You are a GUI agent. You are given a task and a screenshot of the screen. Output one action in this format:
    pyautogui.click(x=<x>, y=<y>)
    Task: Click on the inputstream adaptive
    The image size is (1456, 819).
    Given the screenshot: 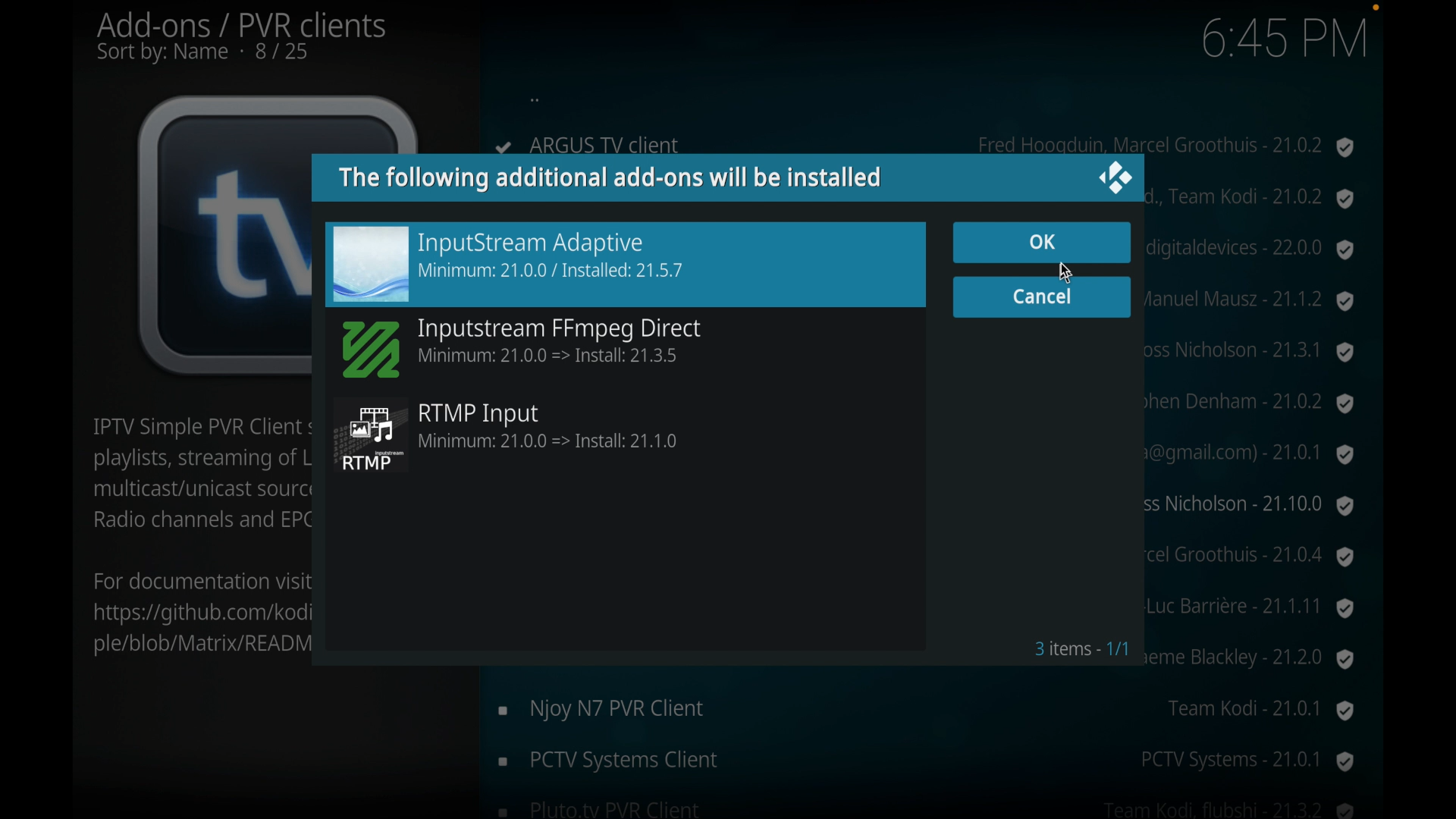 What is the action you would take?
    pyautogui.click(x=508, y=264)
    